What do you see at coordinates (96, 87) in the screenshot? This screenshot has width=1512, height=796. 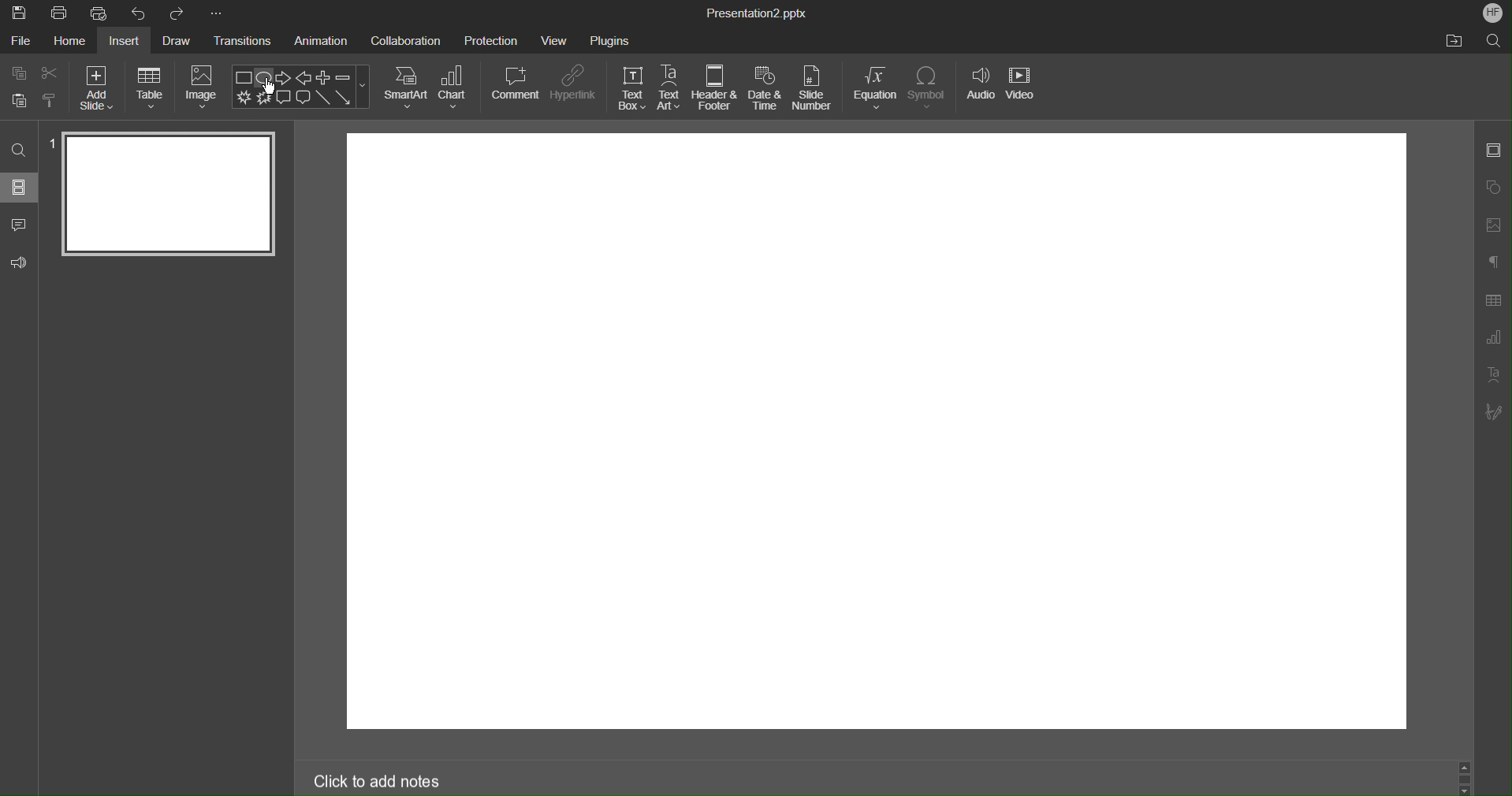 I see `Add Size` at bounding box center [96, 87].